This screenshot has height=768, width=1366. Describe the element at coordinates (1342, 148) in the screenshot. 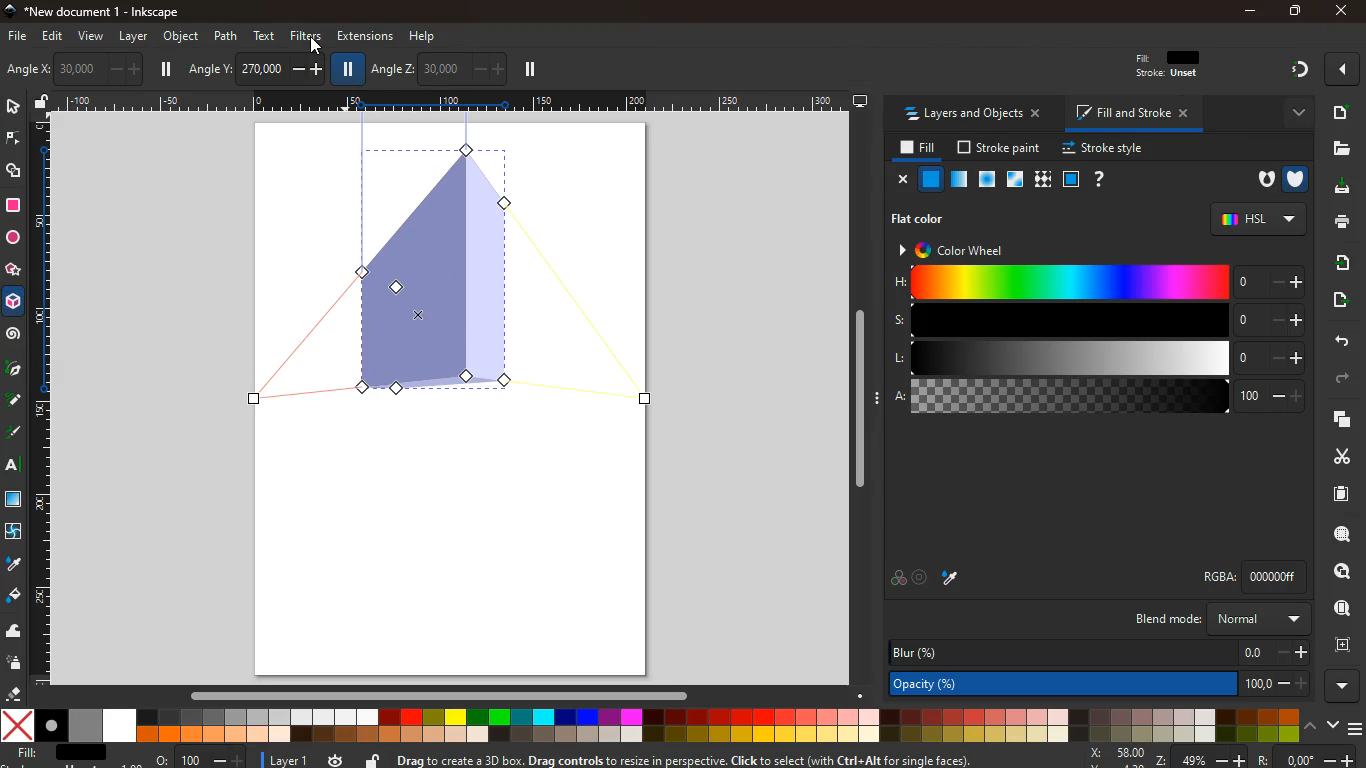

I see `file` at that location.